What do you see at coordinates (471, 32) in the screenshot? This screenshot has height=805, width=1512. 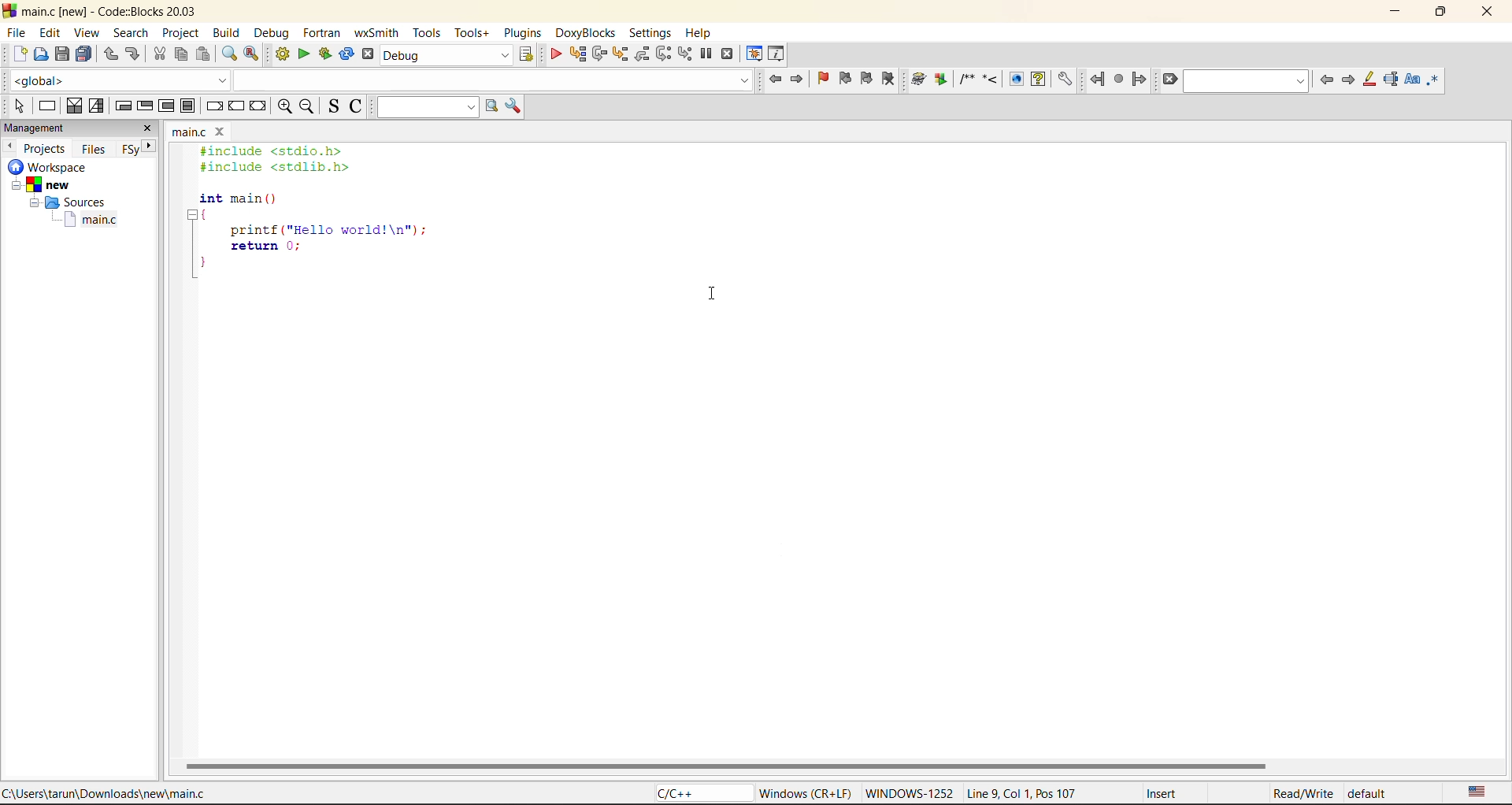 I see `tools+` at bounding box center [471, 32].